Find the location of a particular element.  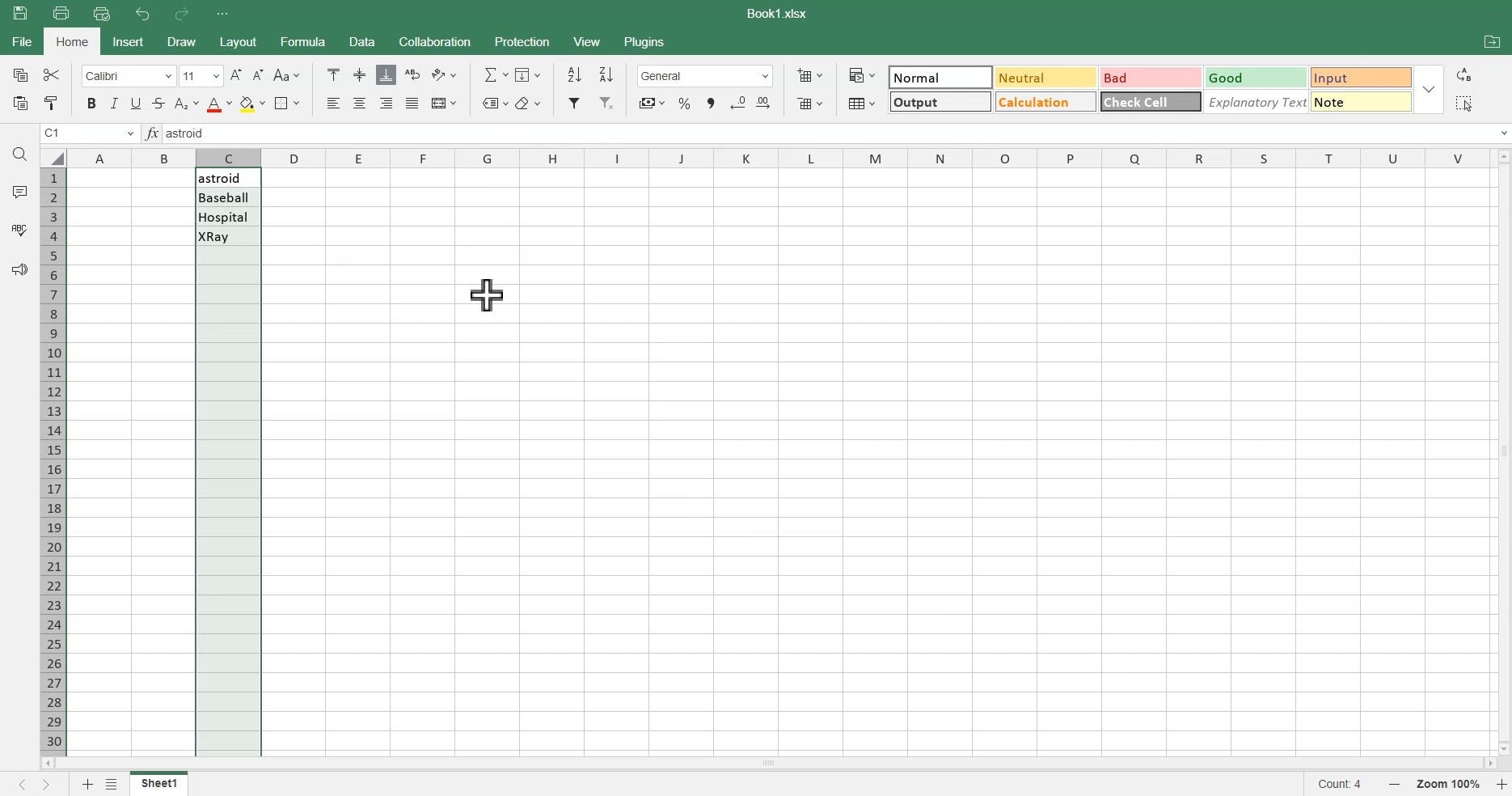

Bad is located at coordinates (1143, 74).